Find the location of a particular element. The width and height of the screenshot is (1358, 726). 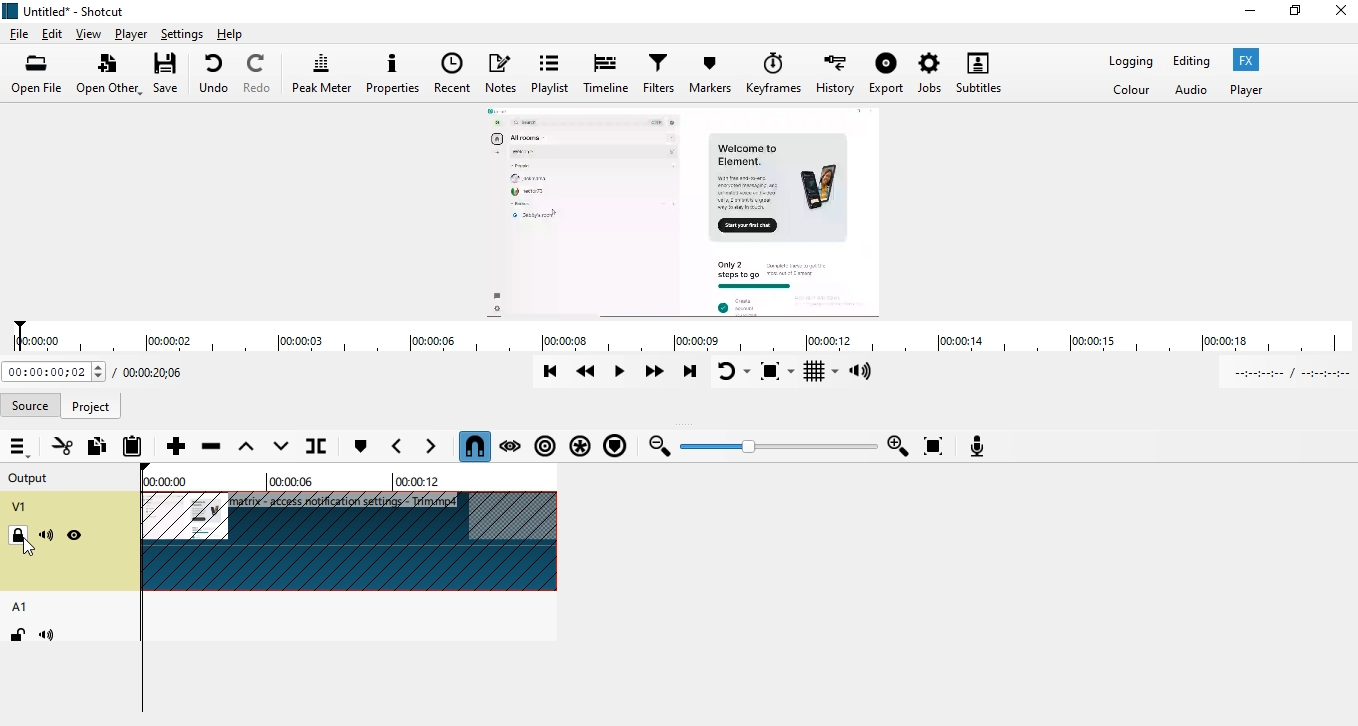

jobs is located at coordinates (932, 72).